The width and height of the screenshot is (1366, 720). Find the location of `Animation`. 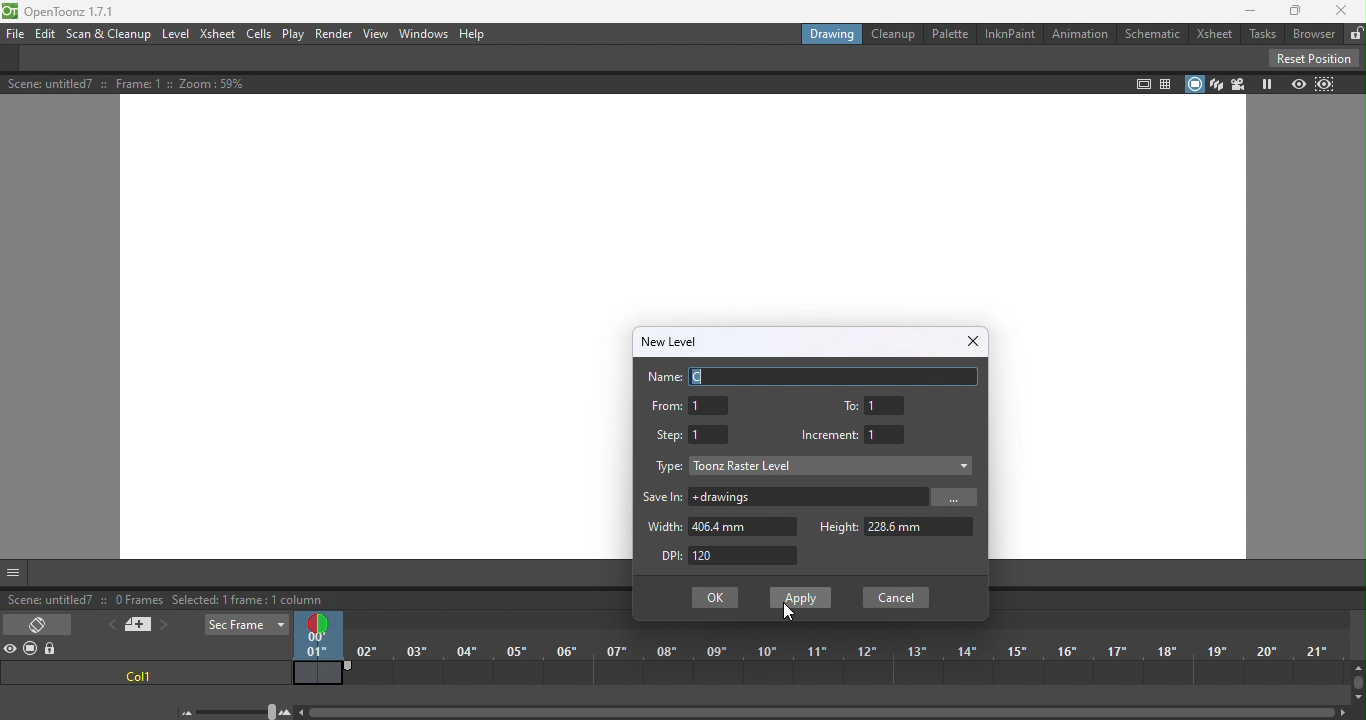

Animation is located at coordinates (1076, 34).